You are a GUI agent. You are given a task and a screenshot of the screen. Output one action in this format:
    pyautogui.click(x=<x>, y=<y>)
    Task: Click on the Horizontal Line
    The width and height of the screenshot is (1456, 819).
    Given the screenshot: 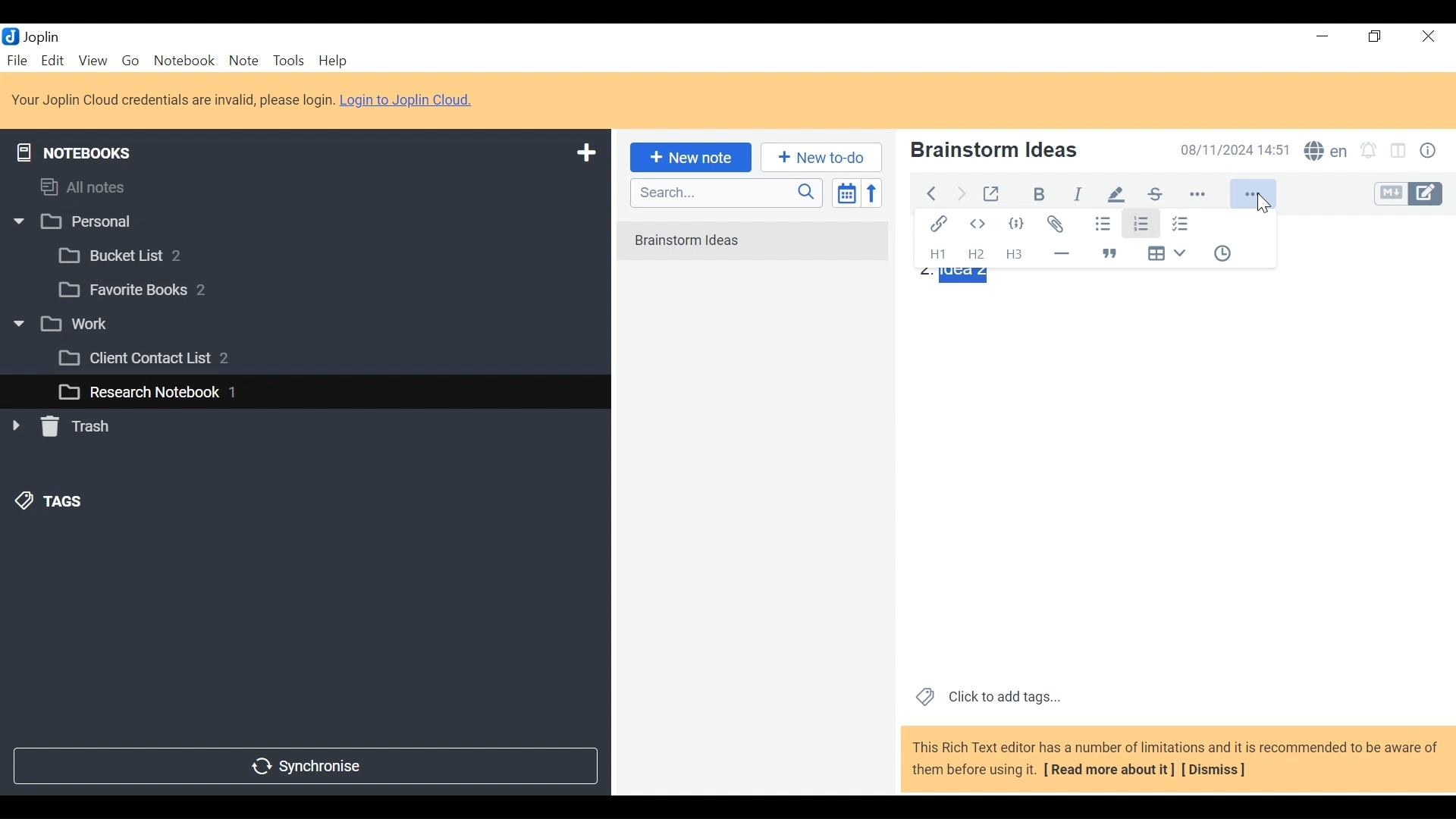 What is the action you would take?
    pyautogui.click(x=1062, y=253)
    